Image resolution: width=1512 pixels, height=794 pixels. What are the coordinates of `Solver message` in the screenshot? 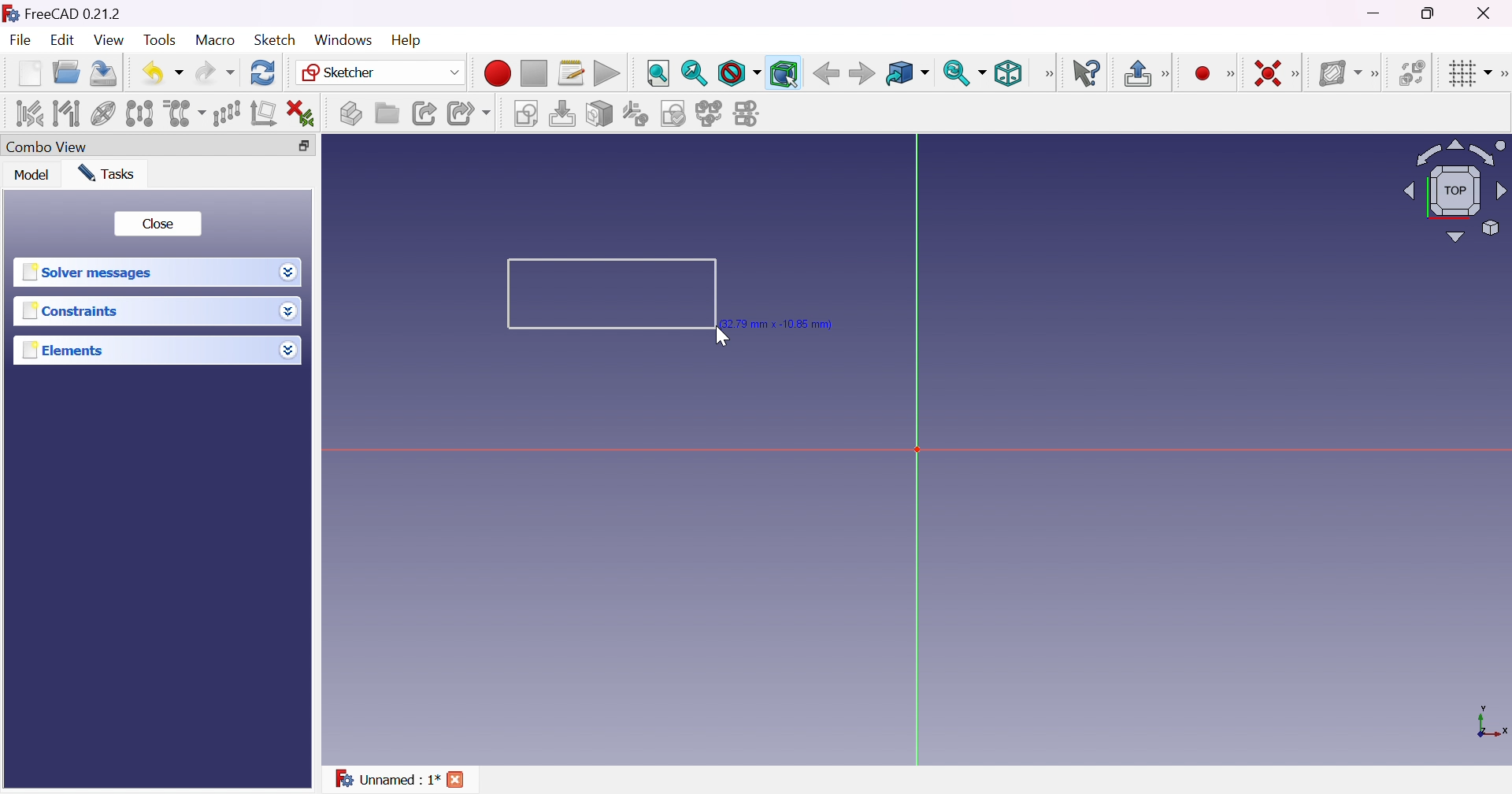 It's located at (91, 273).